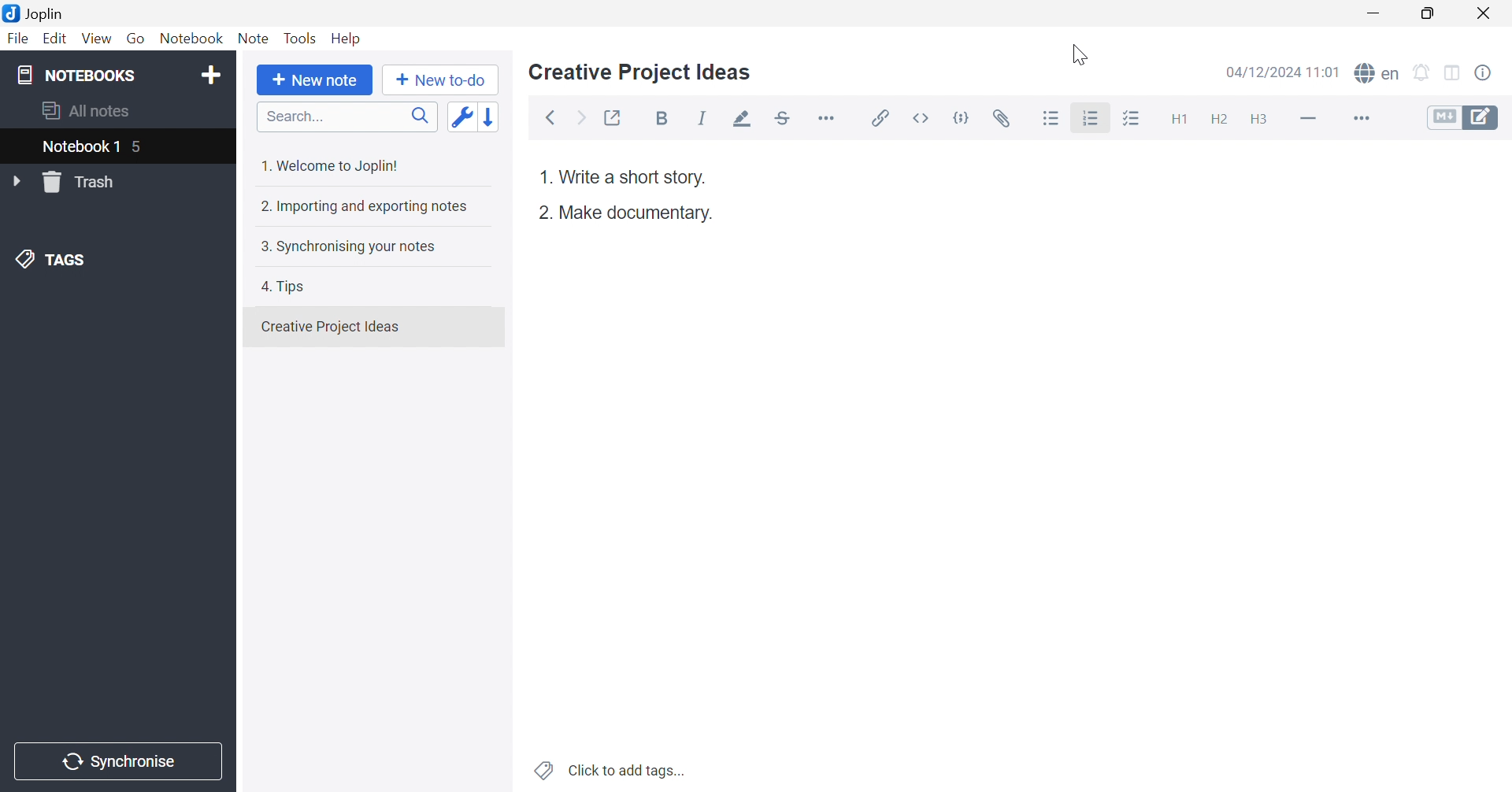 This screenshot has height=792, width=1512. Describe the element at coordinates (639, 72) in the screenshot. I see `Creative Project Ideas` at that location.